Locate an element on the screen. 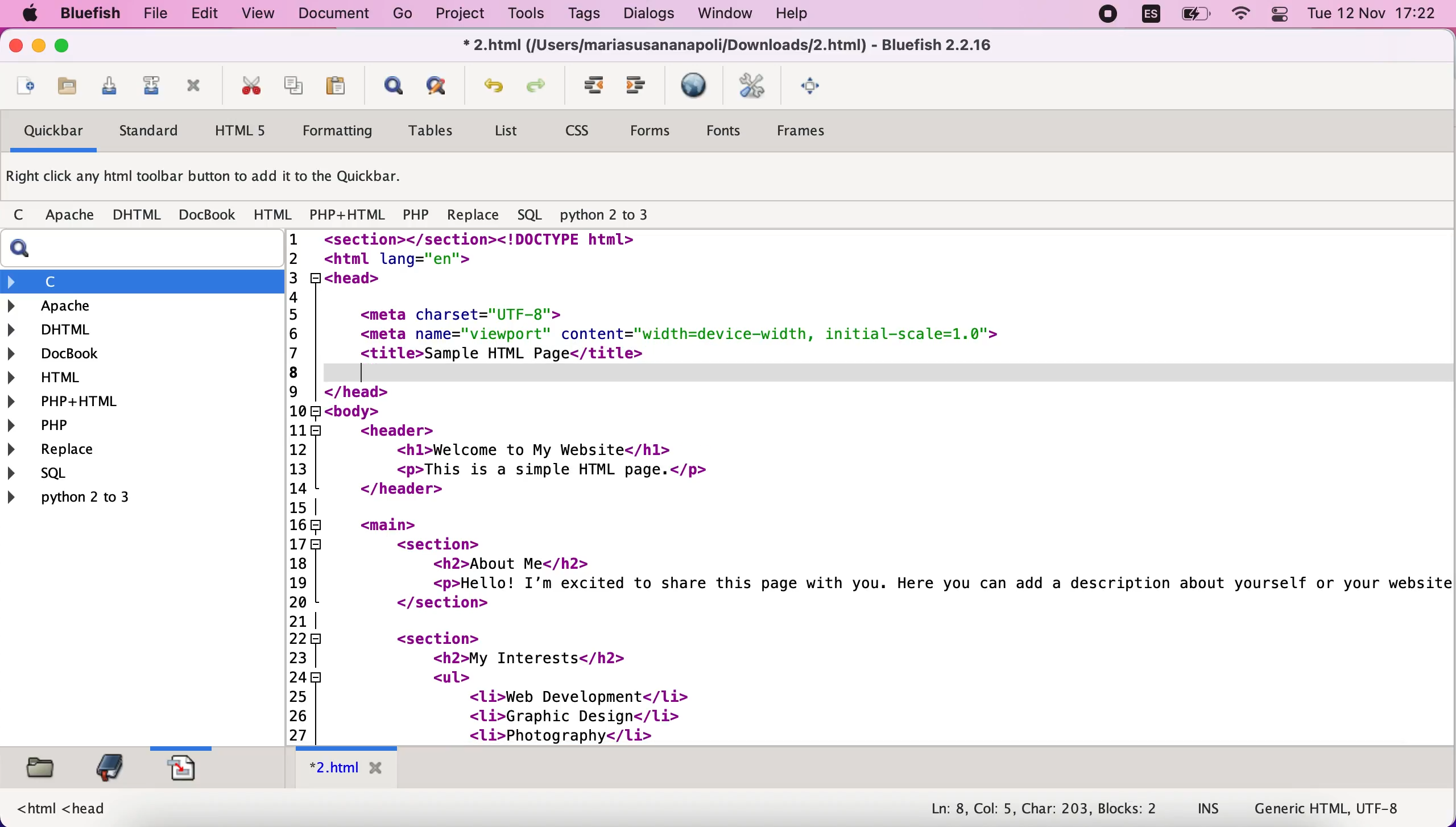 This screenshot has height=827, width=1456. dhtml is located at coordinates (137, 330).